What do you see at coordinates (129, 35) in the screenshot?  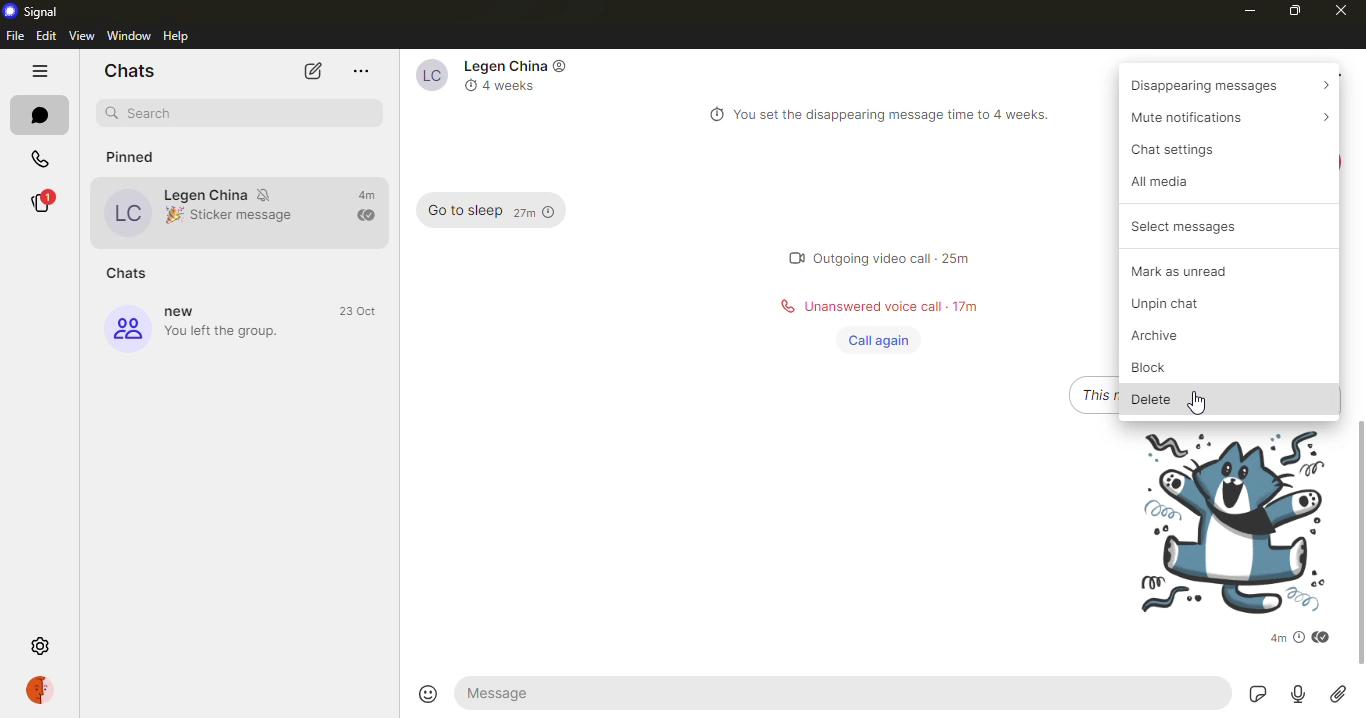 I see `window` at bounding box center [129, 35].